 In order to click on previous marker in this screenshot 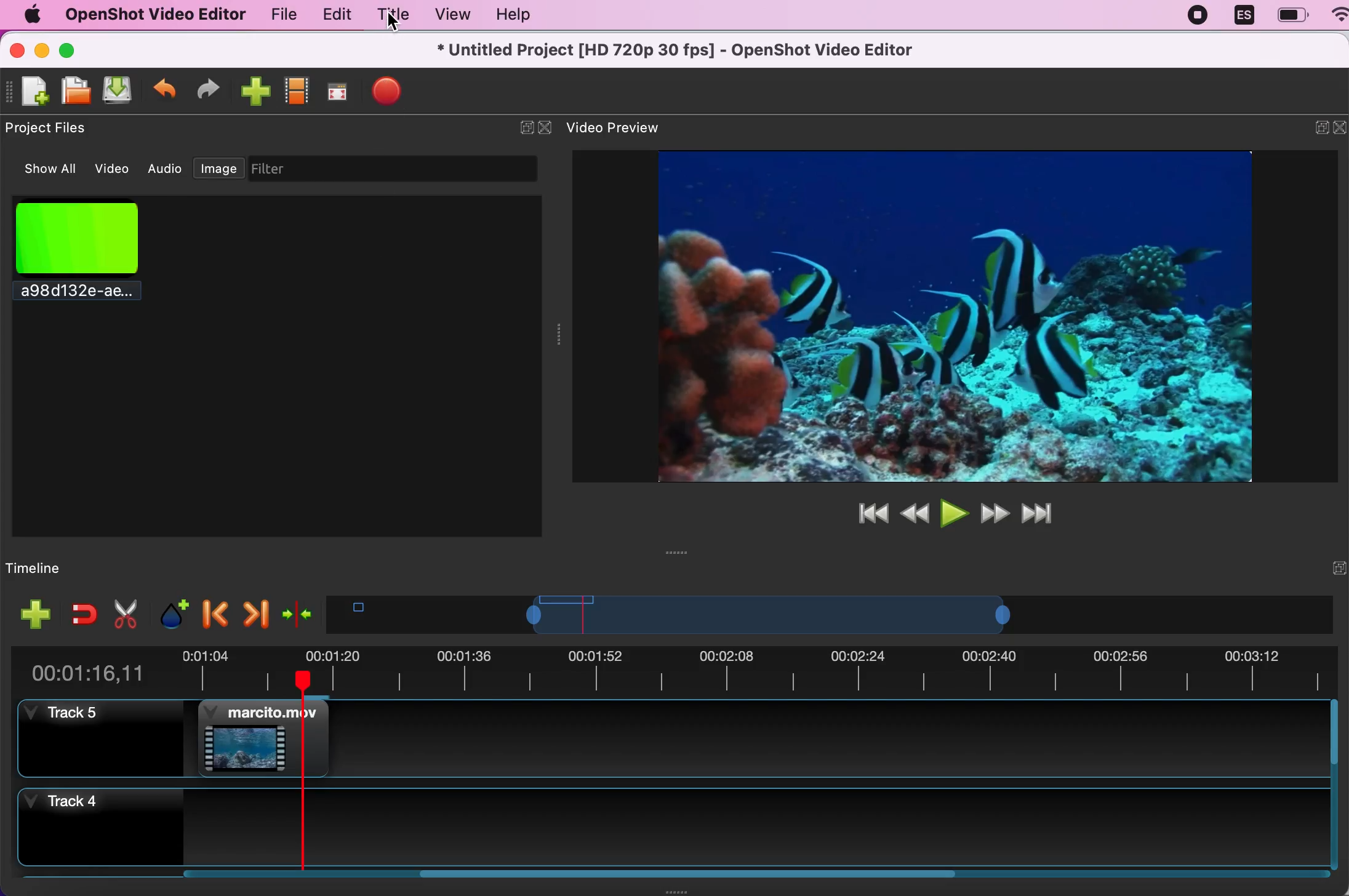, I will do `click(212, 612)`.